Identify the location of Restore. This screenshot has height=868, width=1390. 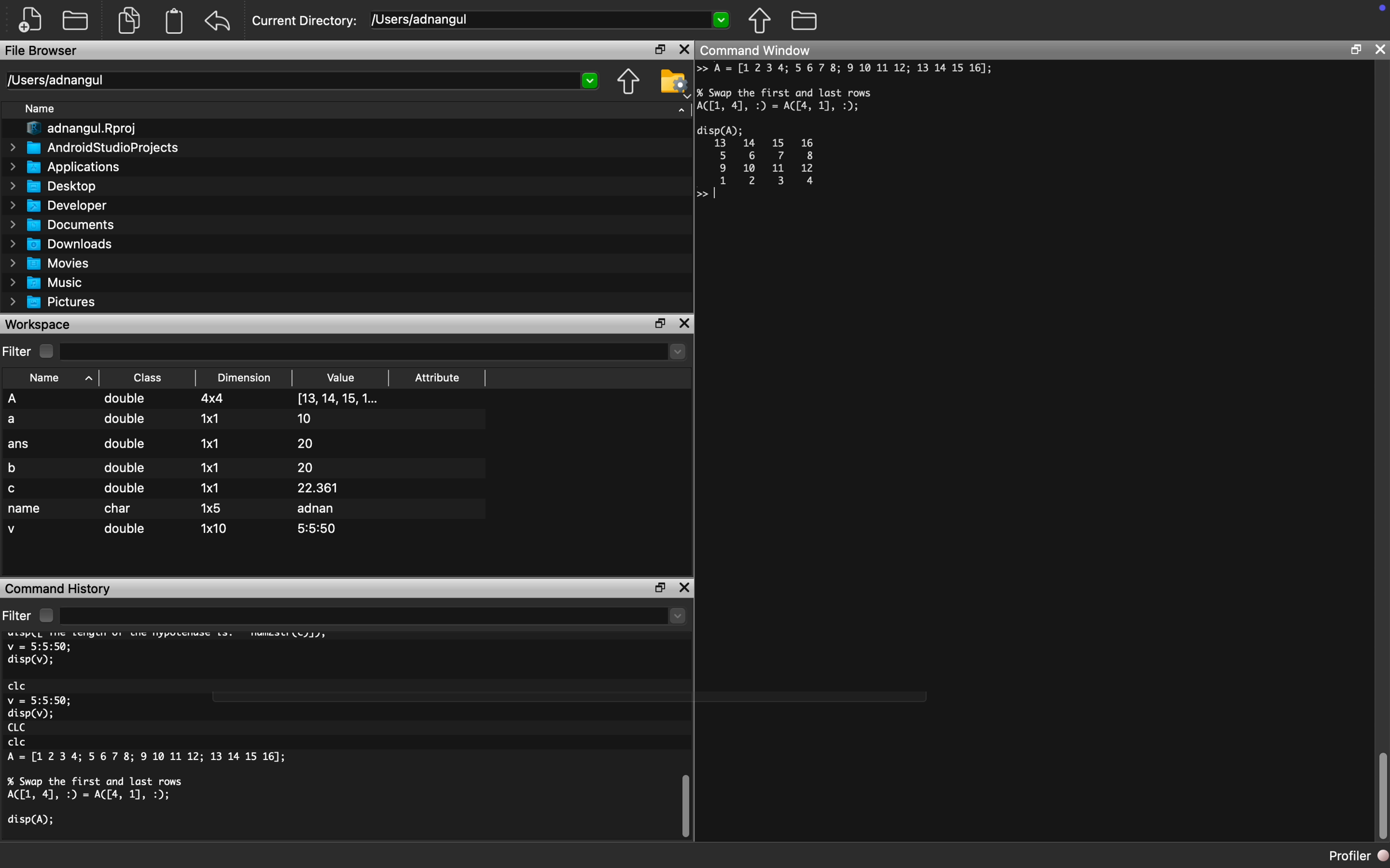
(655, 586).